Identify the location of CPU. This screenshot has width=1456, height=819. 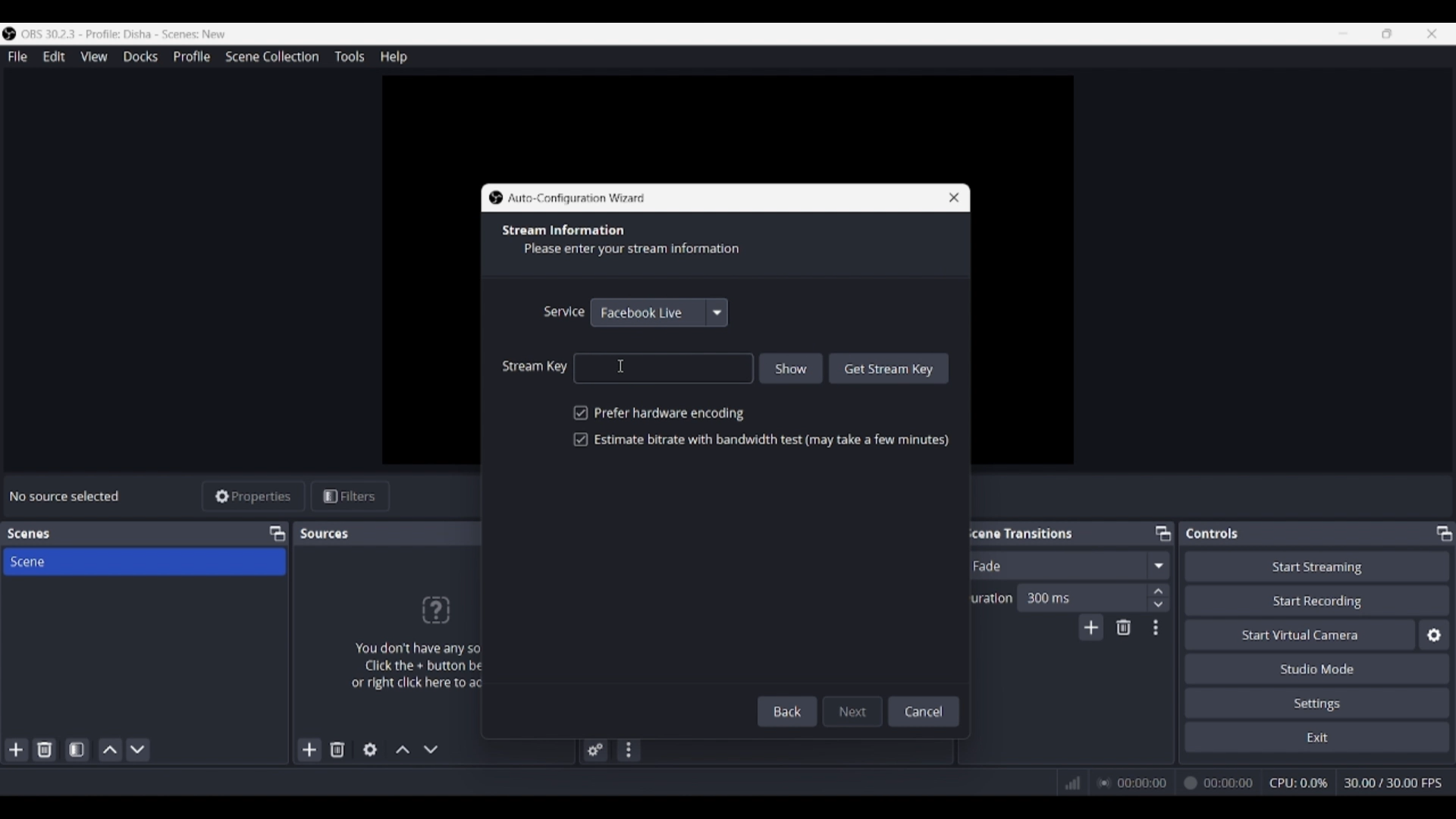
(1299, 783).